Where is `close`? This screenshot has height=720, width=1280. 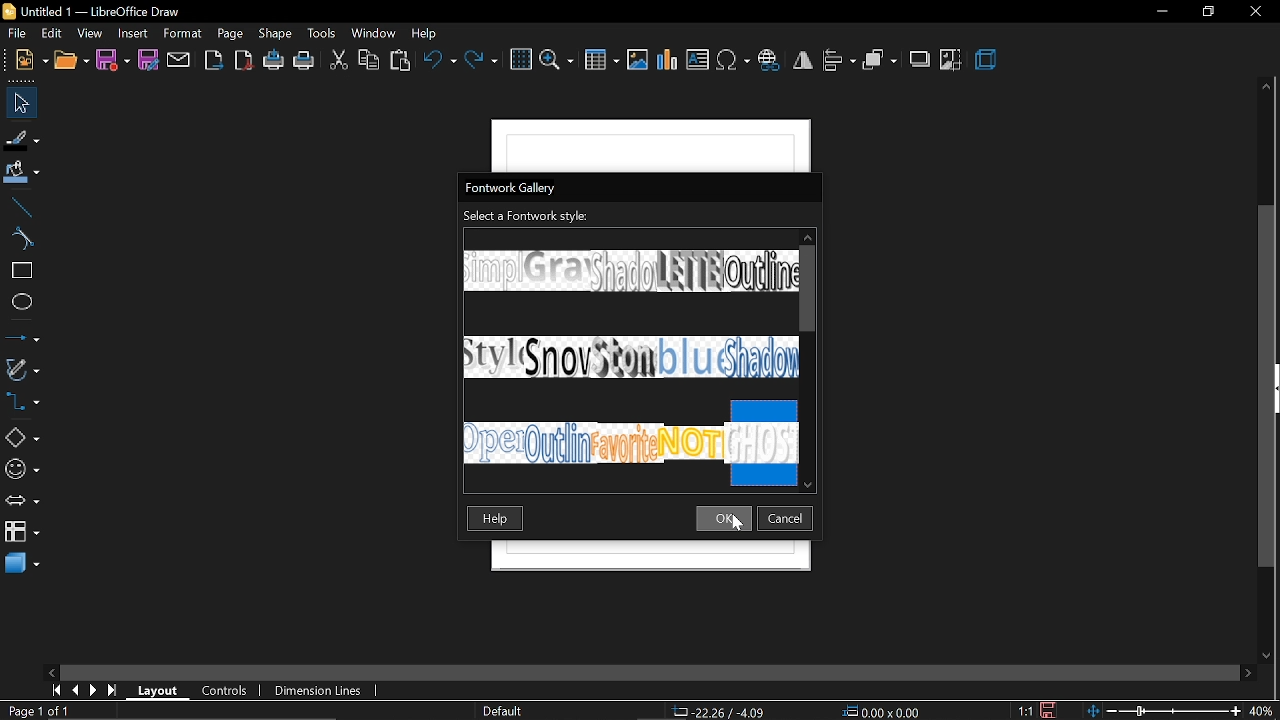 close is located at coordinates (803, 188).